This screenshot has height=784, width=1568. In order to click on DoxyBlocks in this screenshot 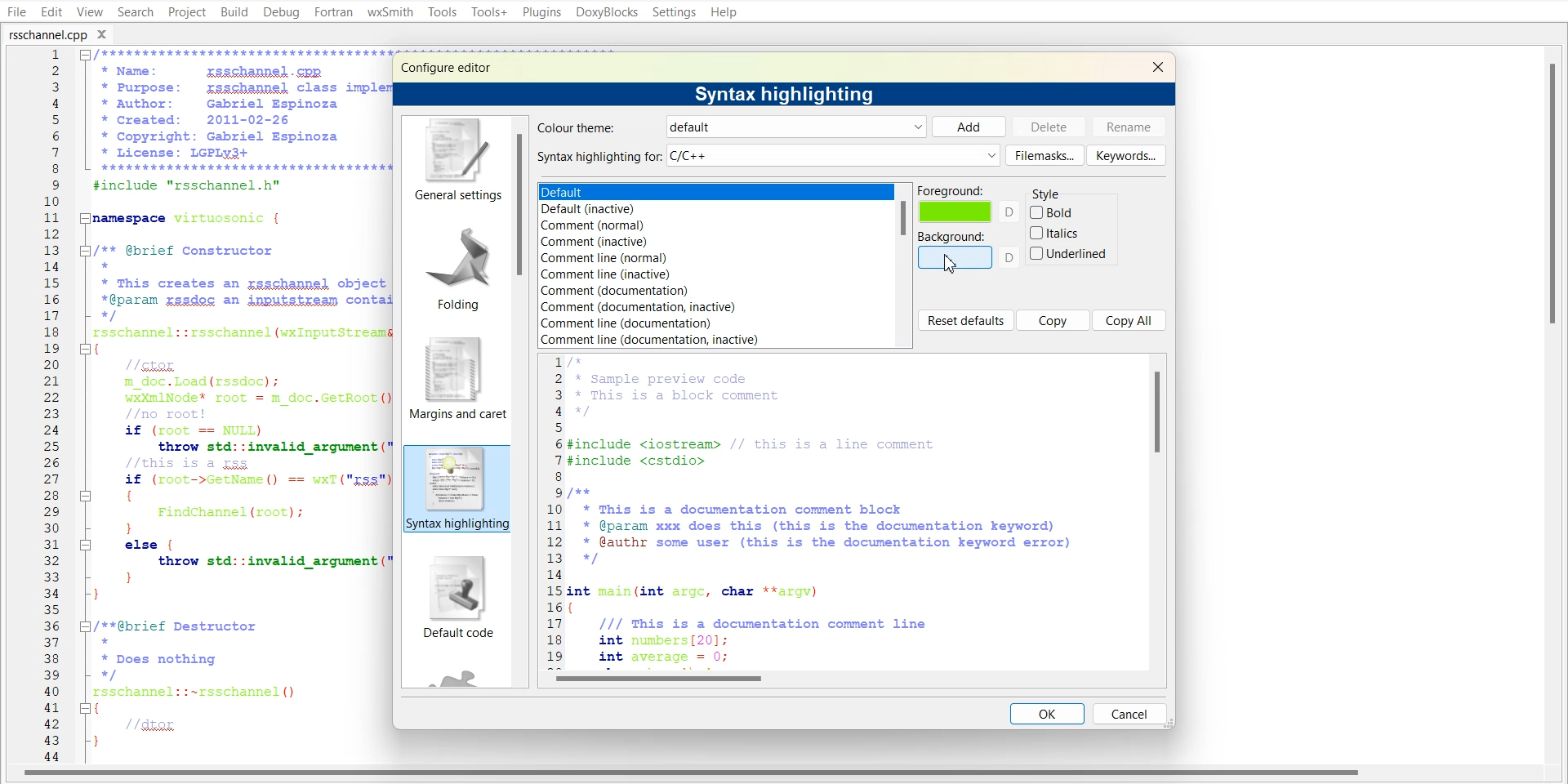, I will do `click(606, 12)`.